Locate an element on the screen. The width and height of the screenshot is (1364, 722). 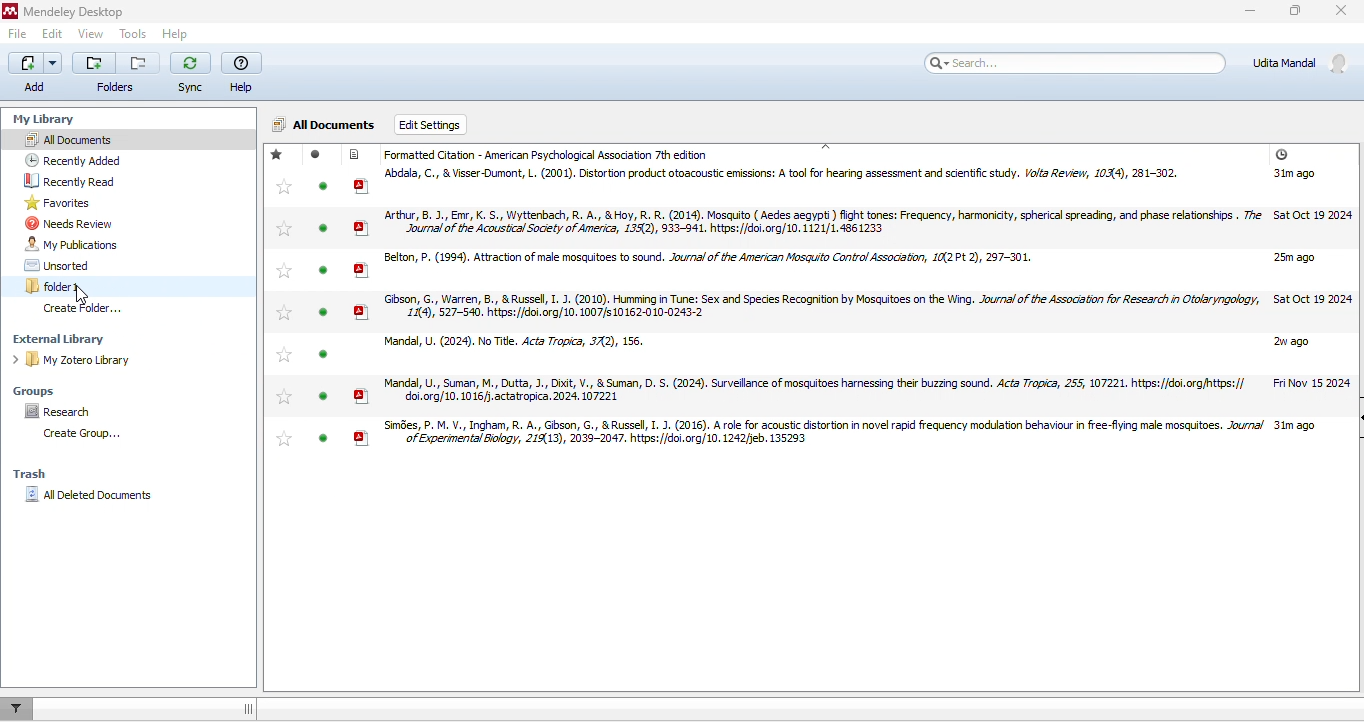
all documents is located at coordinates (315, 123).